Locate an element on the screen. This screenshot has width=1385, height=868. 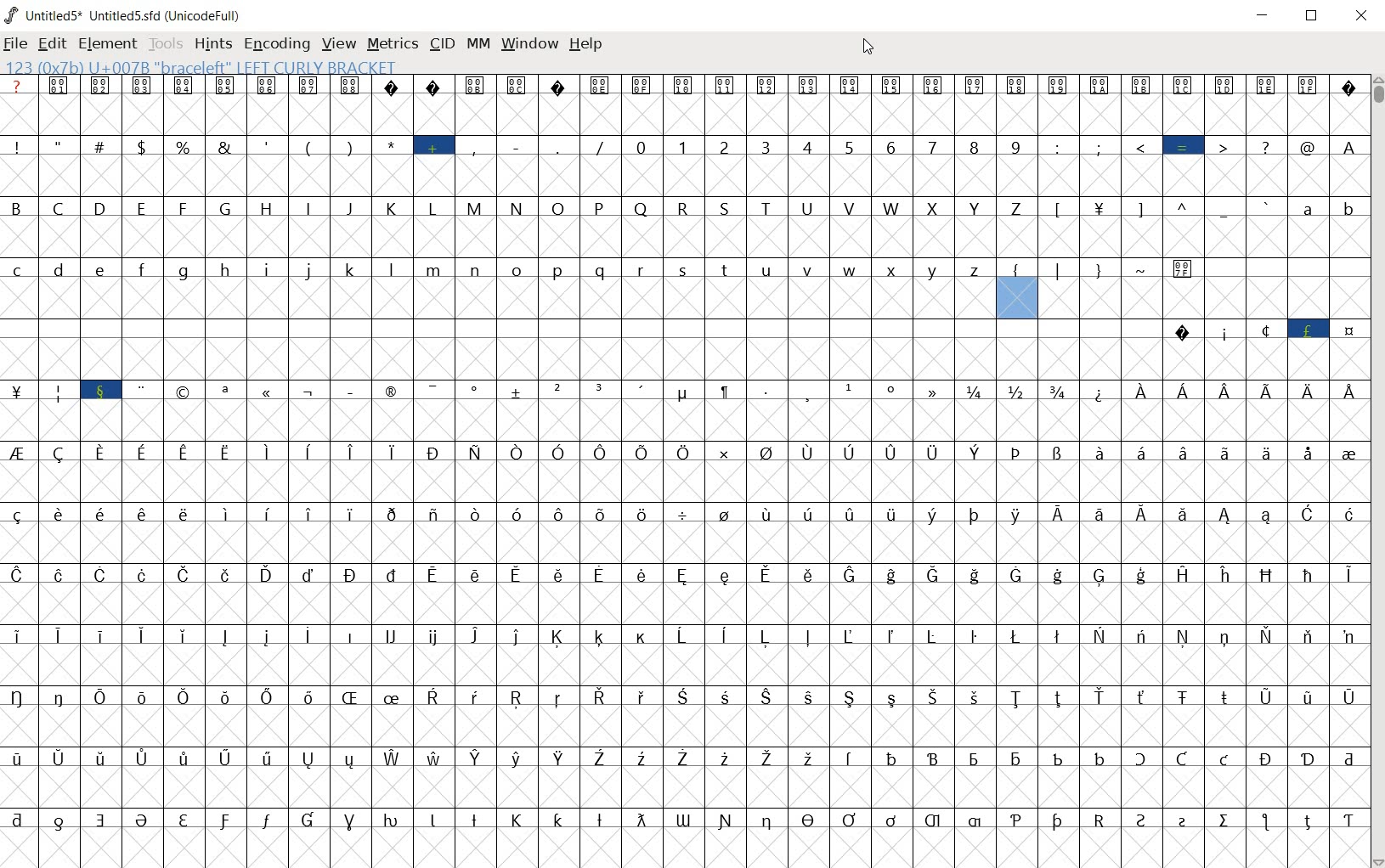
123 (0x7b) U+007B "braceleft" LEFT CURLY BRACKET is located at coordinates (1017, 297).